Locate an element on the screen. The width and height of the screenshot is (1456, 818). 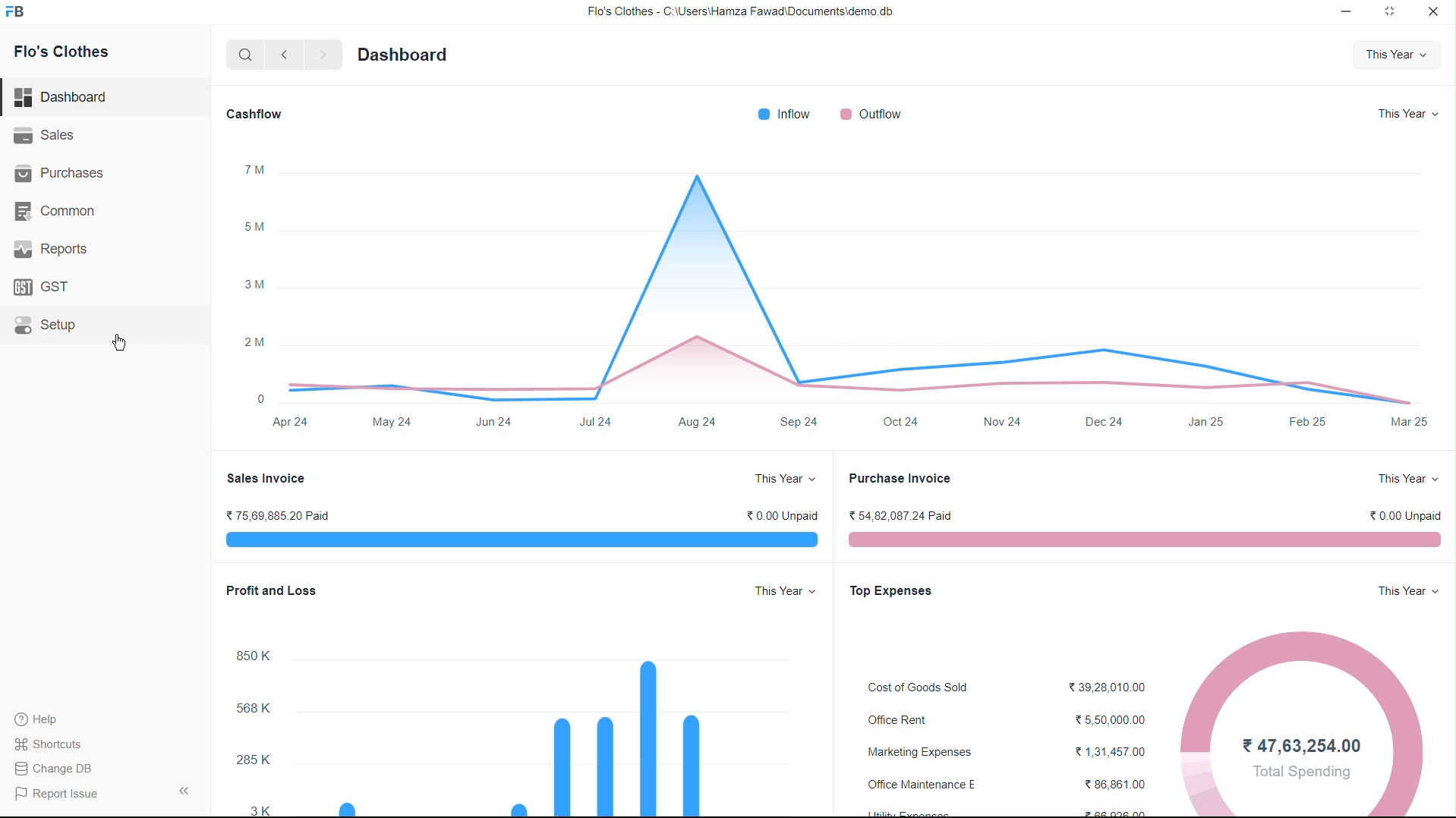
x axis is located at coordinates (254, 282).